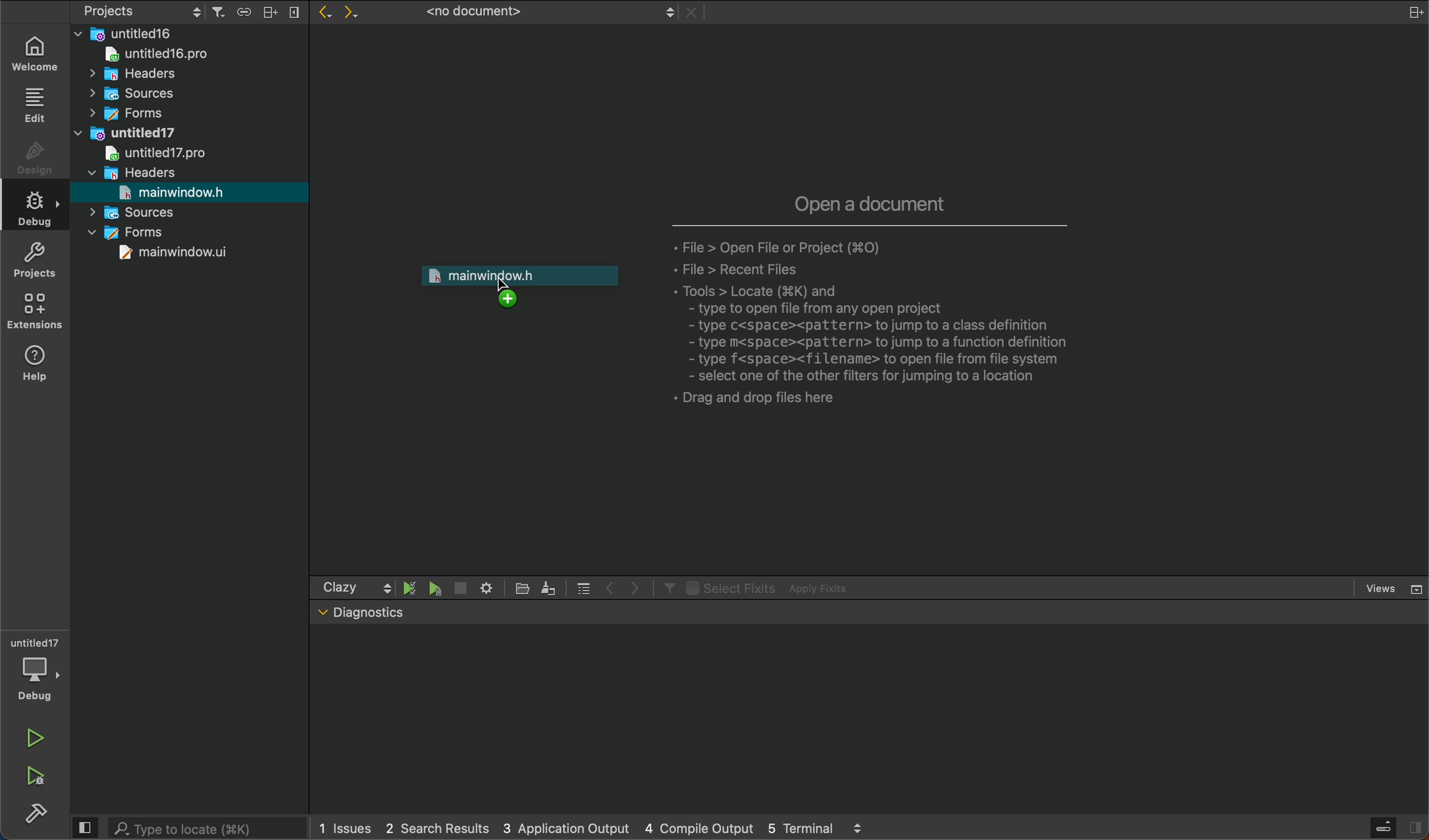 The width and height of the screenshot is (1429, 840). What do you see at coordinates (132, 172) in the screenshot?
I see `Headers` at bounding box center [132, 172].